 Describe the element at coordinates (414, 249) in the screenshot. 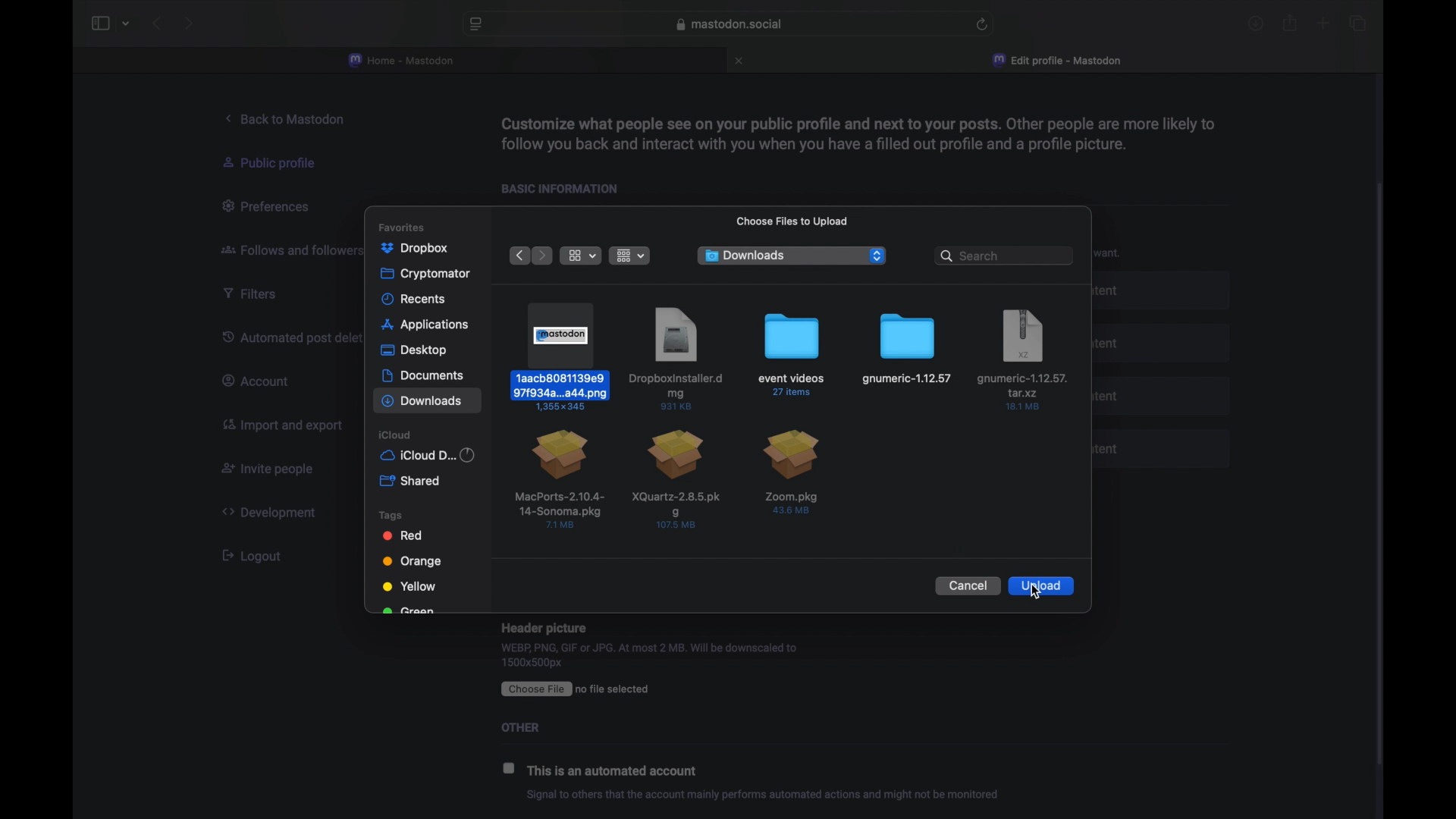

I see `dropbox` at that location.